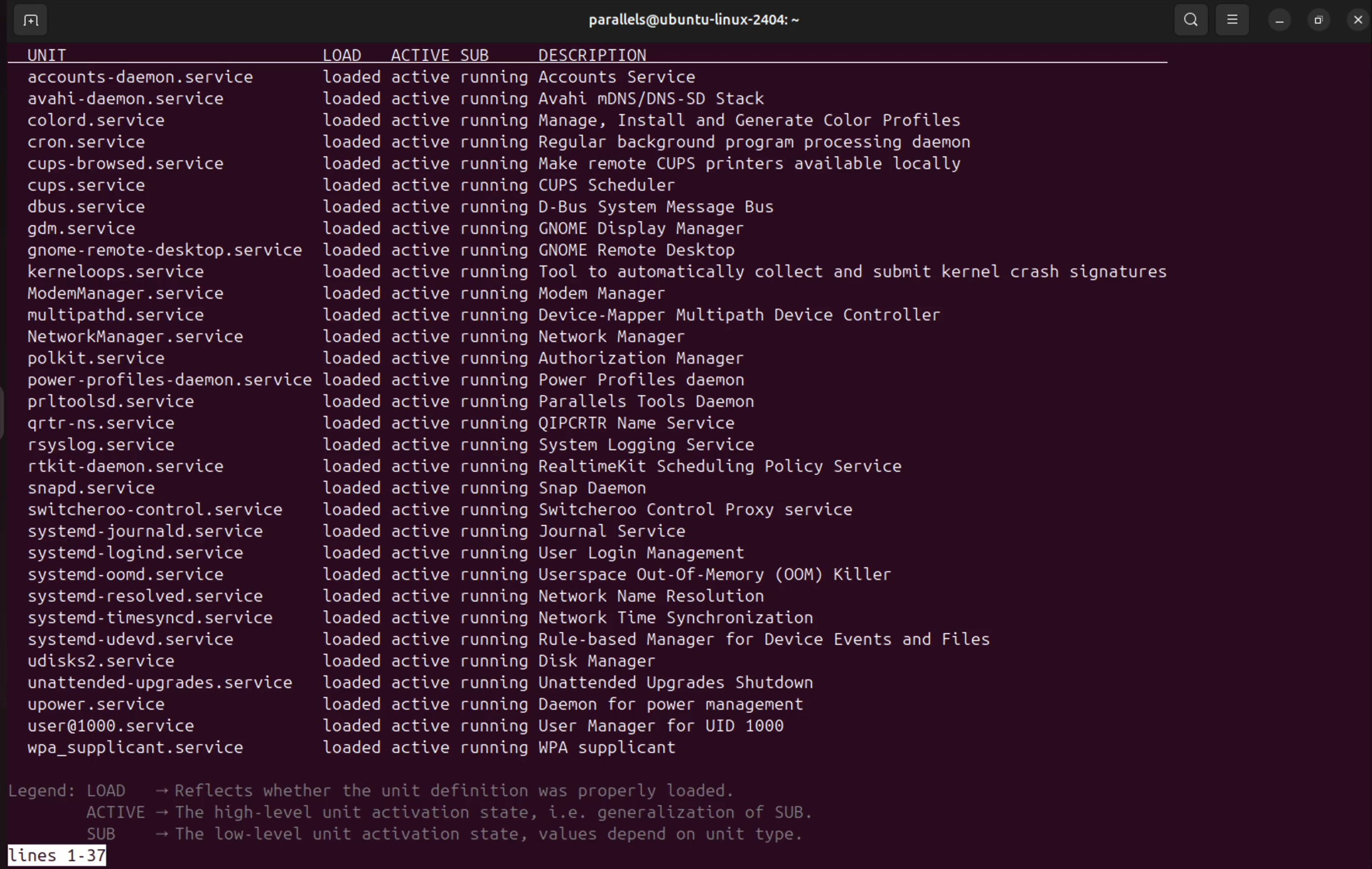 The width and height of the screenshot is (1372, 869). I want to click on parallels username, so click(687, 22).